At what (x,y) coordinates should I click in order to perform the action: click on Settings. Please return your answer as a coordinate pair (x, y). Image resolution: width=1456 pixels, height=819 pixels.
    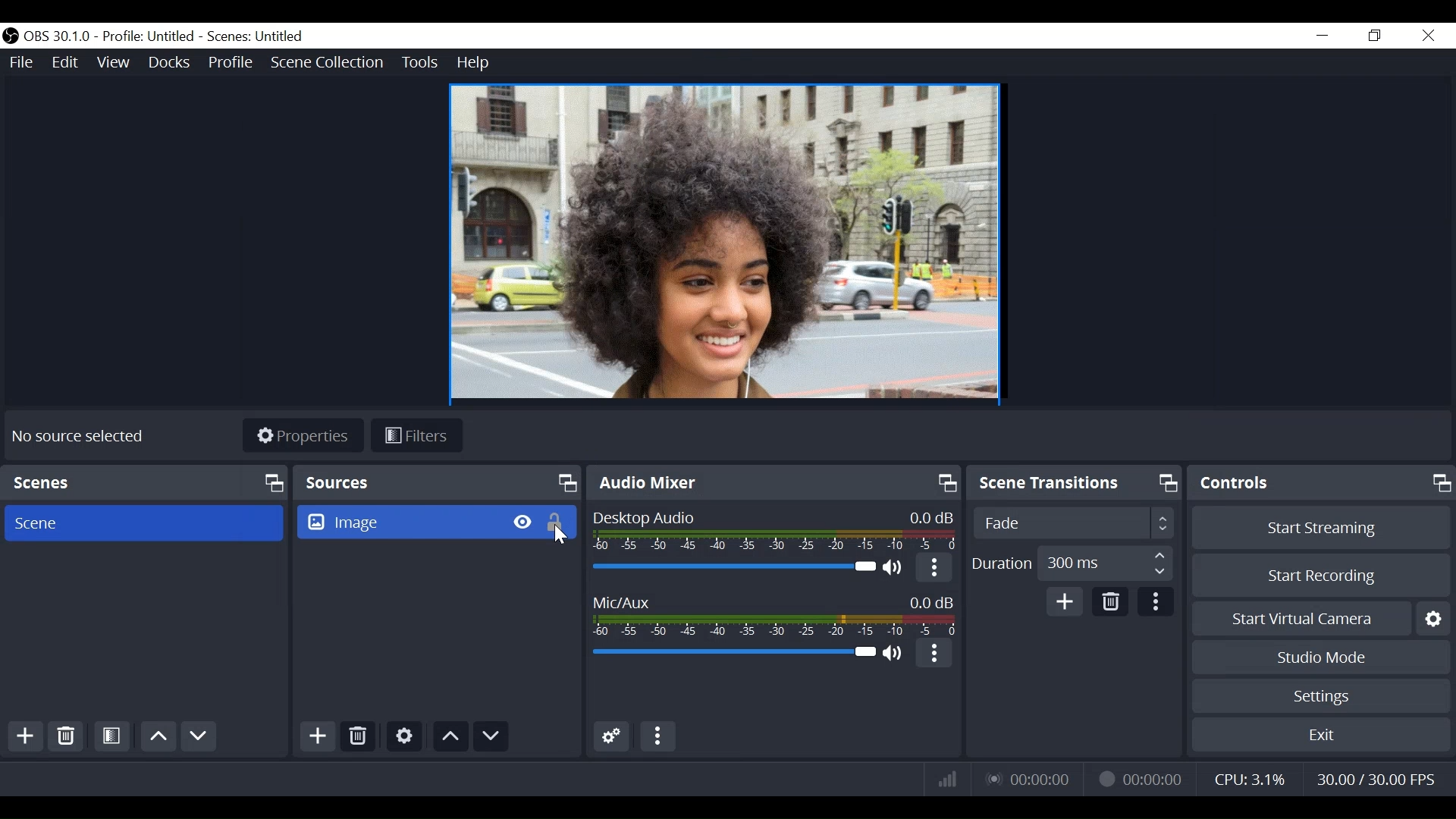
    Looking at the image, I should click on (1432, 619).